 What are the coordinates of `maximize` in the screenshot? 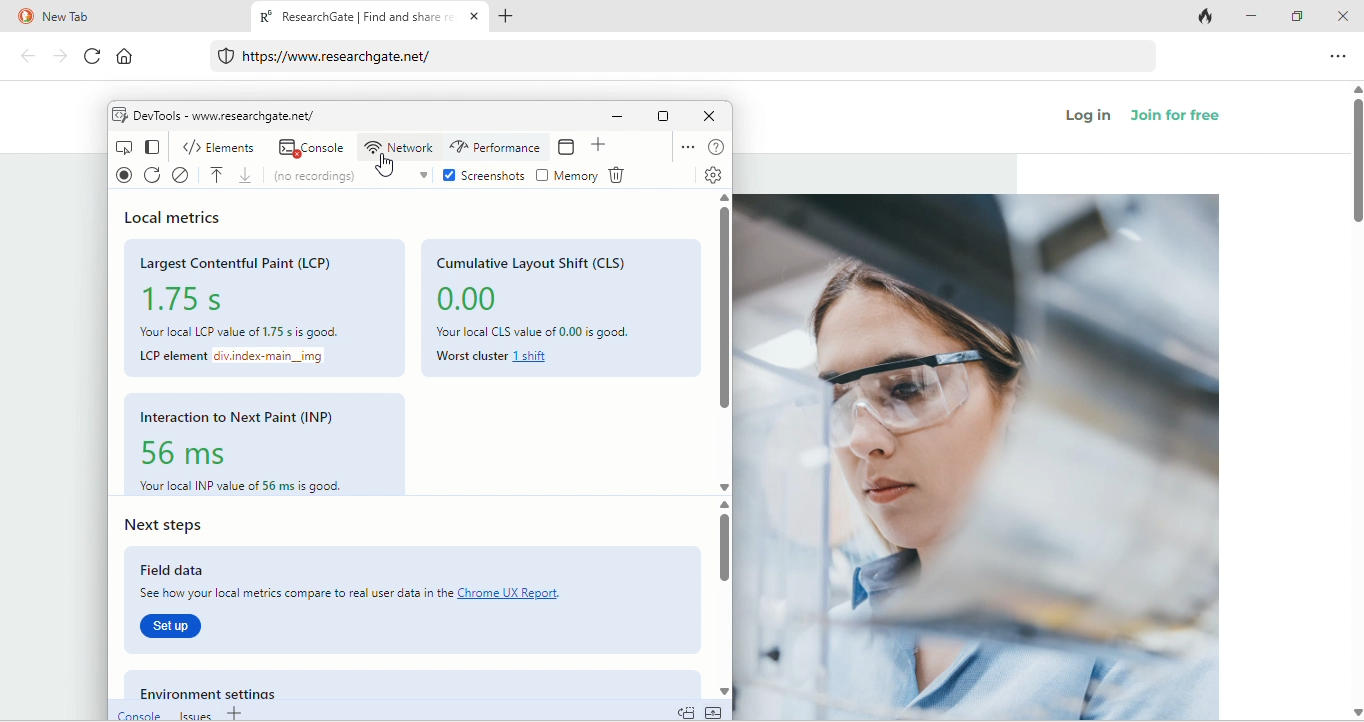 It's located at (663, 116).